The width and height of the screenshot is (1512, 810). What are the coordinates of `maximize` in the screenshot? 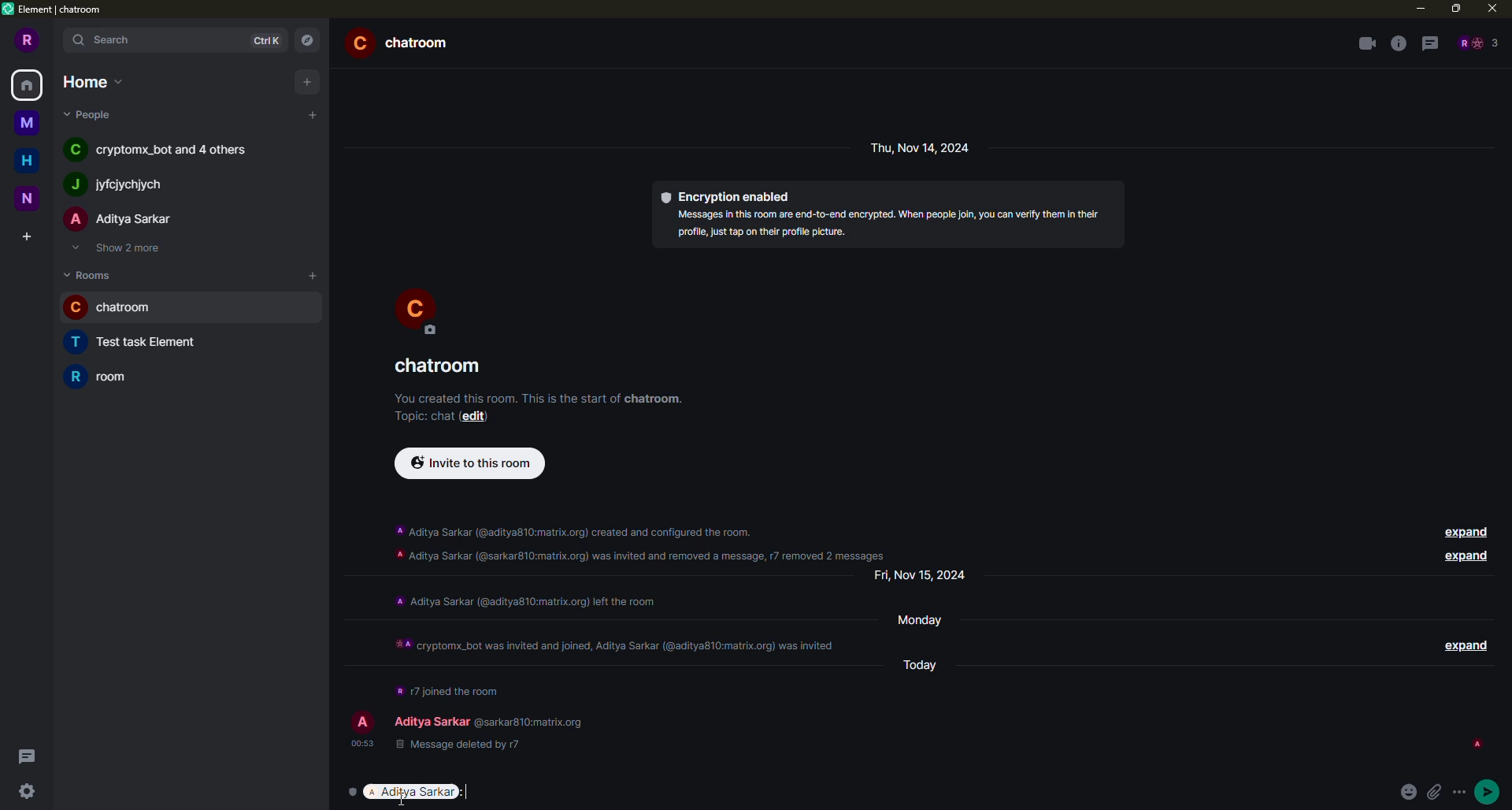 It's located at (1456, 7).